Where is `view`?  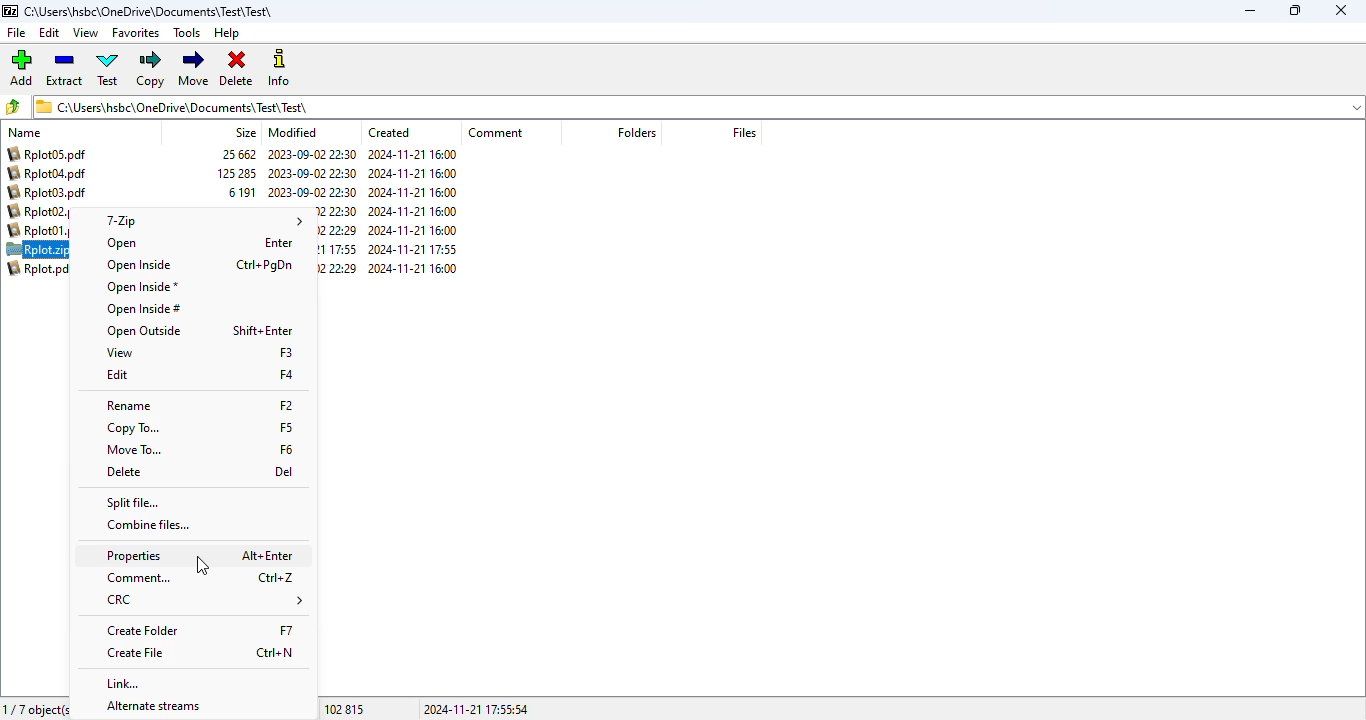
view is located at coordinates (85, 33).